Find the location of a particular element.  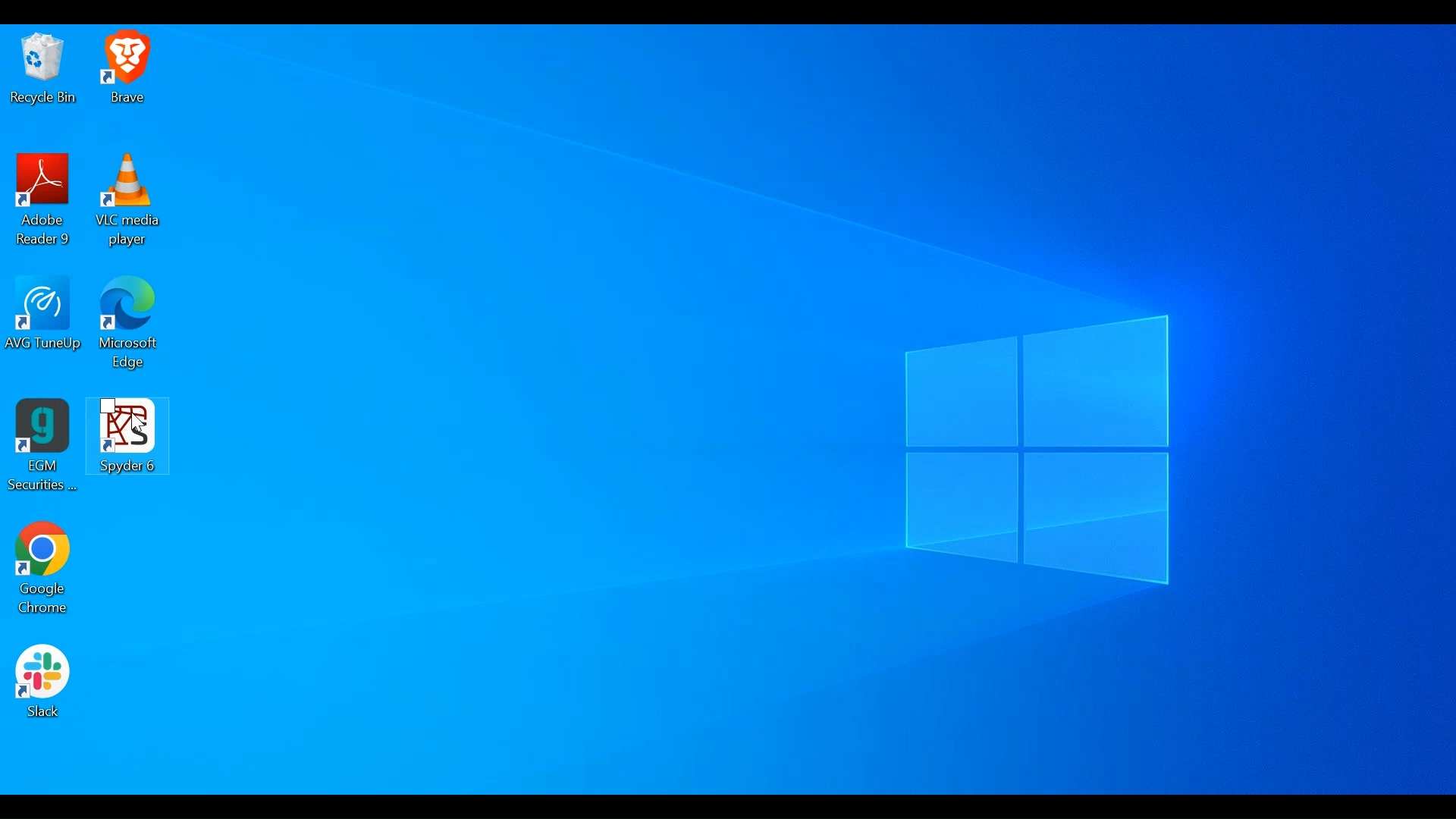

AVG TuneUp Desktop Icon is located at coordinates (44, 323).